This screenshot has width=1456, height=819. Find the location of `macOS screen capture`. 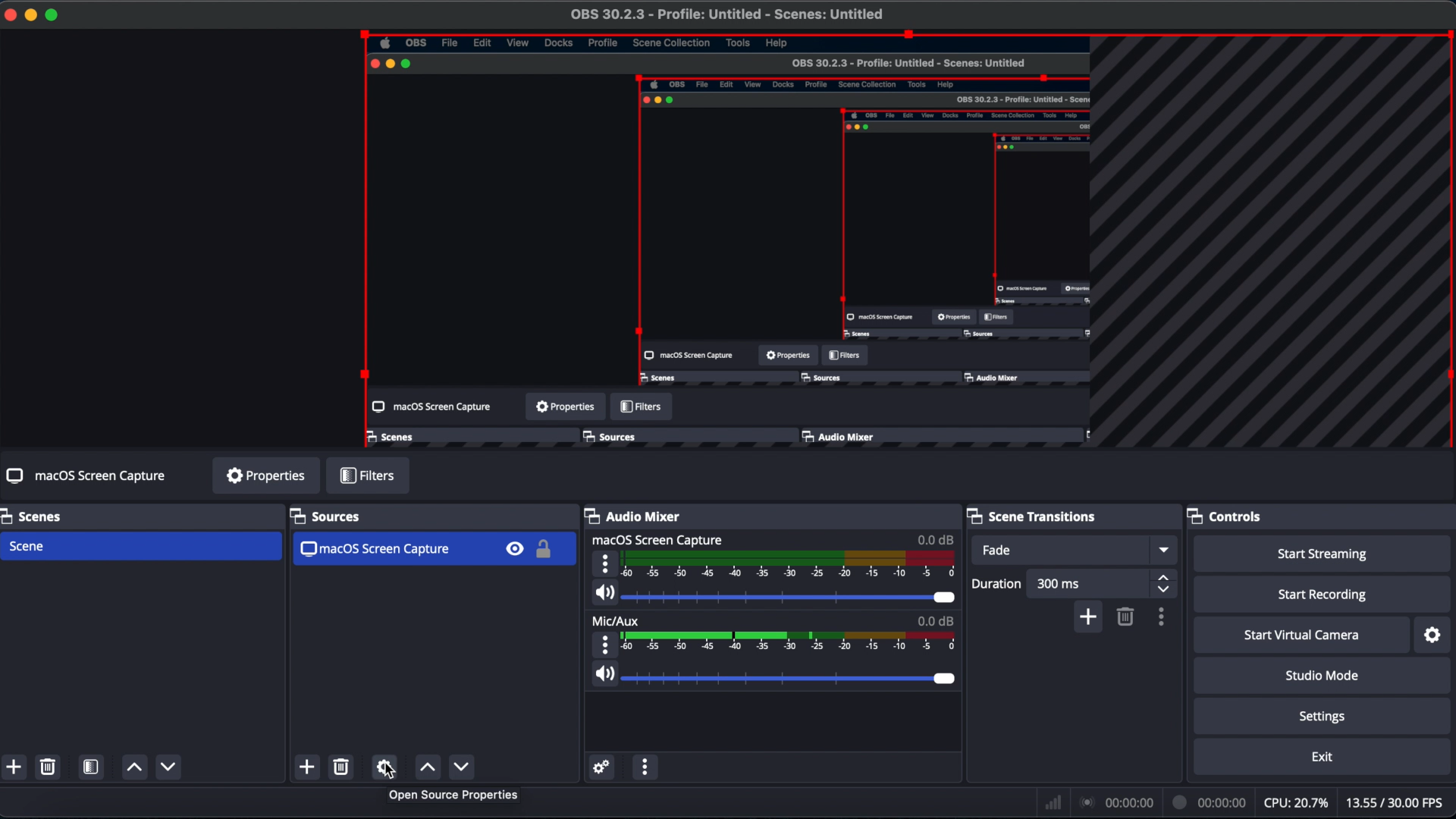

macOS screen capture is located at coordinates (373, 549).